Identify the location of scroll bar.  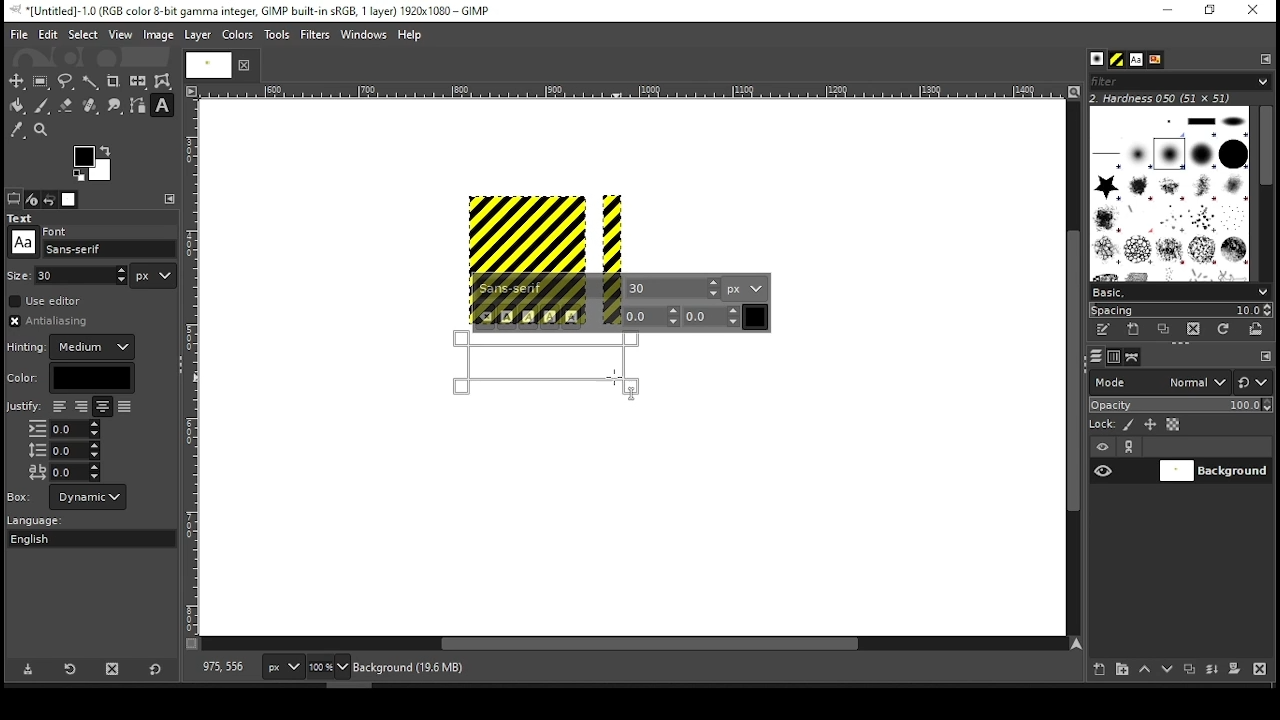
(1265, 192).